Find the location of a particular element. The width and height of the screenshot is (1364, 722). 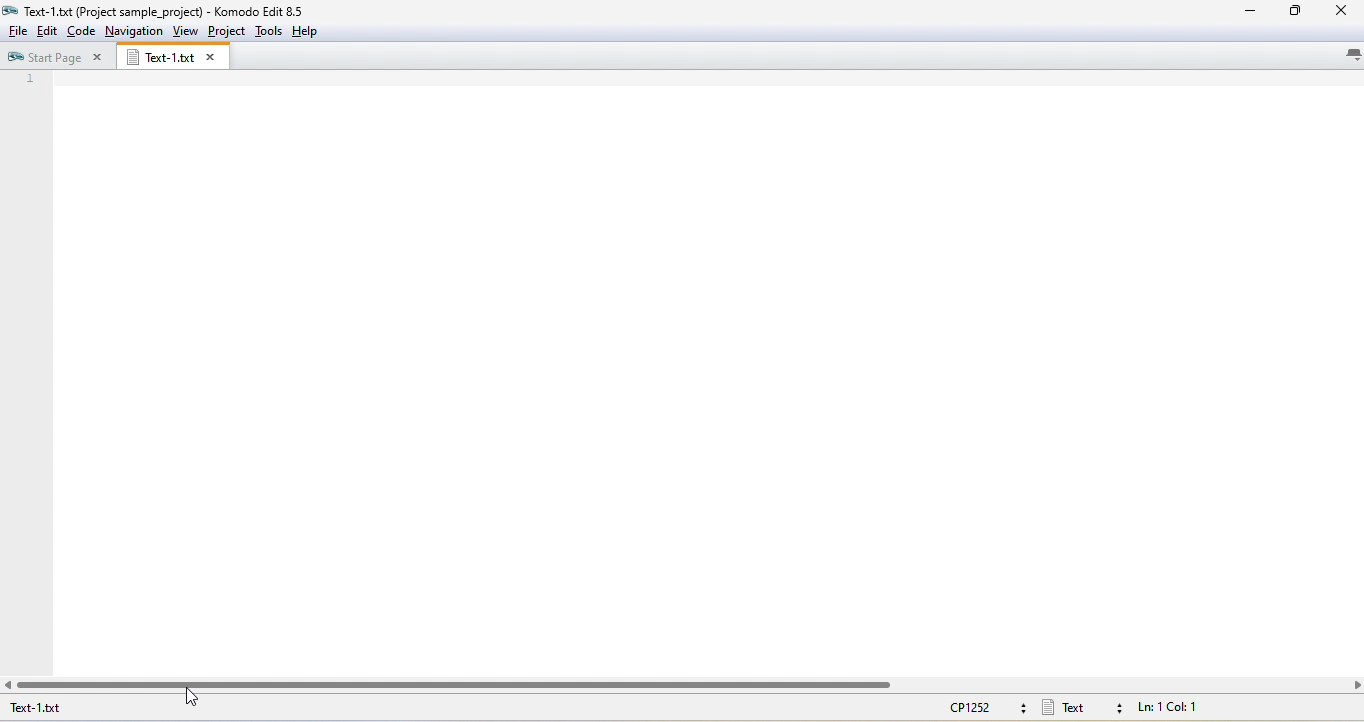

line numbers is located at coordinates (30, 136).